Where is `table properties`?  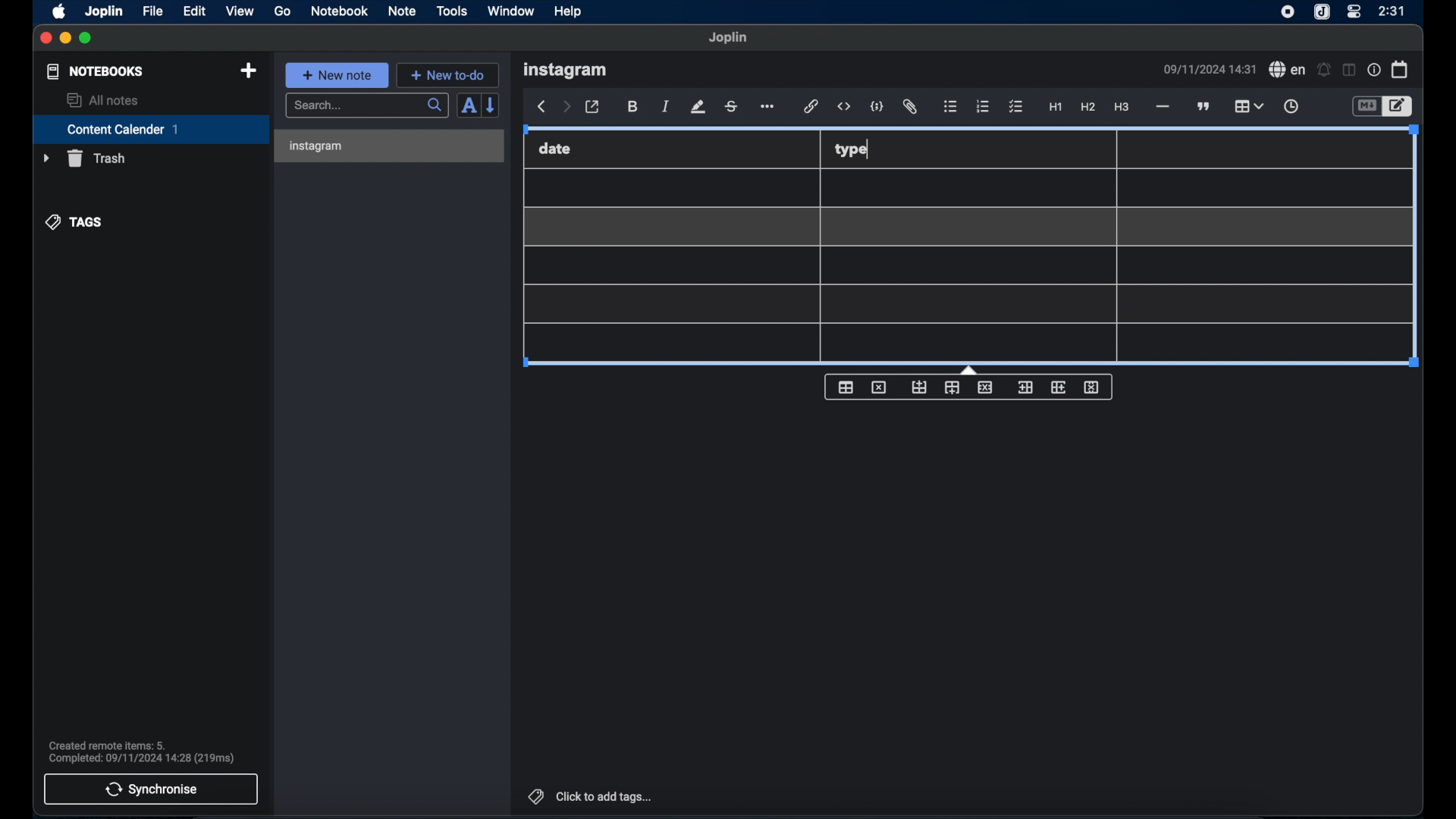 table properties is located at coordinates (846, 387).